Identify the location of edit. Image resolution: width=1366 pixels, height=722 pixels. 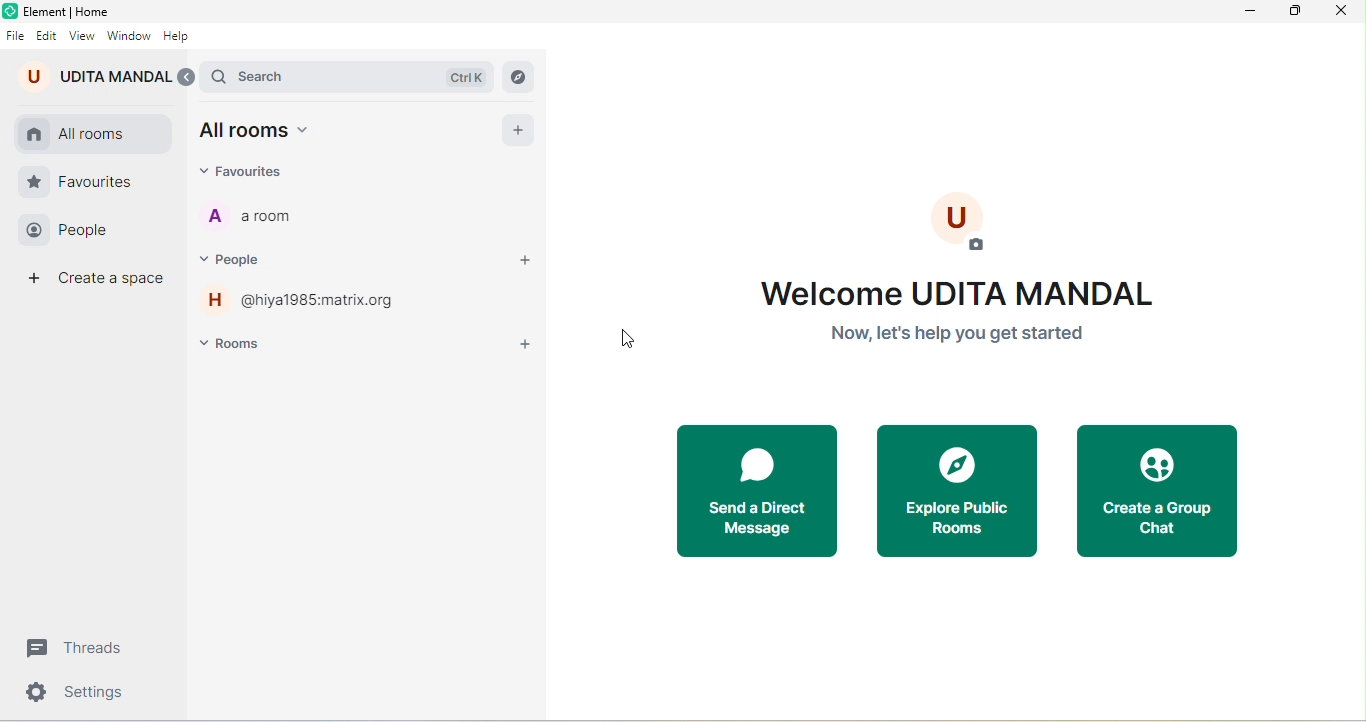
(46, 36).